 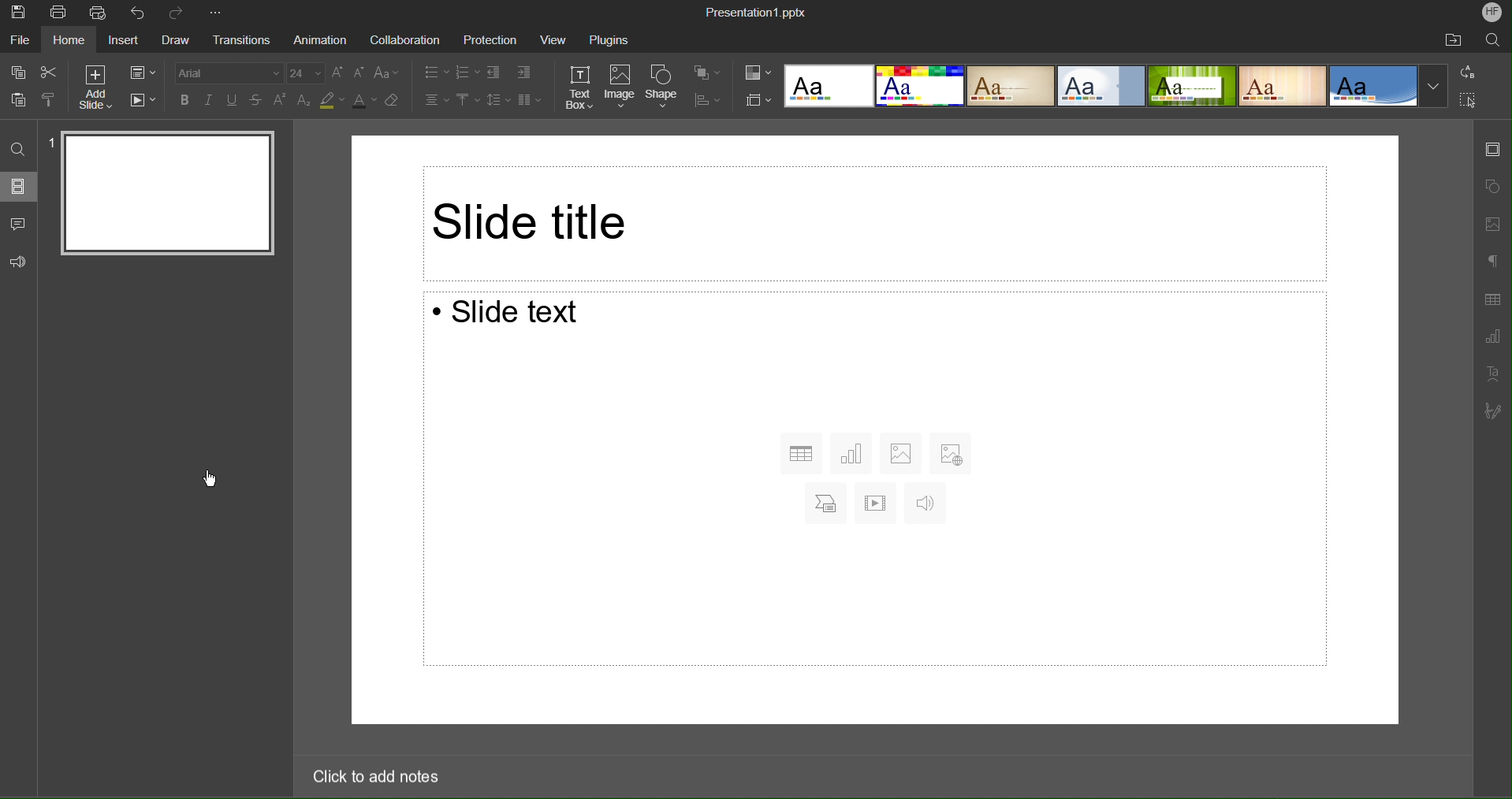 What do you see at coordinates (211, 481) in the screenshot?
I see `Cursor` at bounding box center [211, 481].